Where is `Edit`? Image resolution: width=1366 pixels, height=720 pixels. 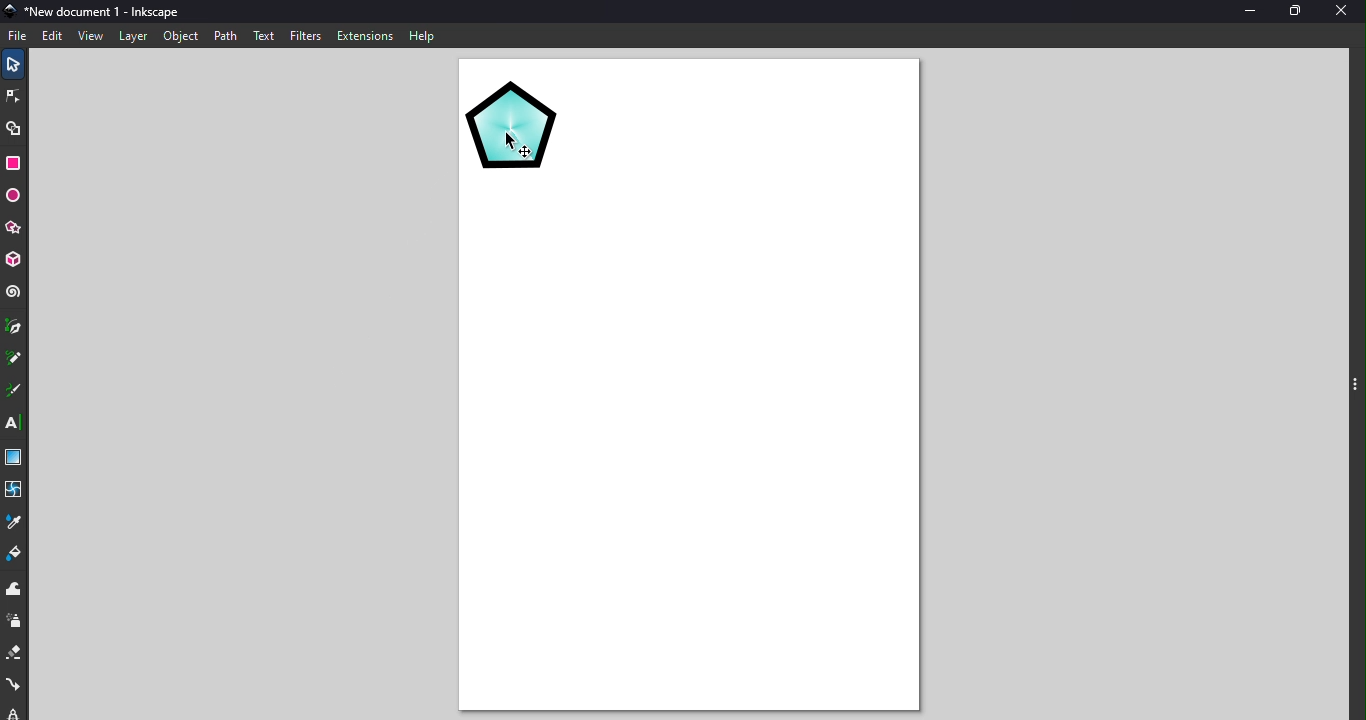 Edit is located at coordinates (50, 35).